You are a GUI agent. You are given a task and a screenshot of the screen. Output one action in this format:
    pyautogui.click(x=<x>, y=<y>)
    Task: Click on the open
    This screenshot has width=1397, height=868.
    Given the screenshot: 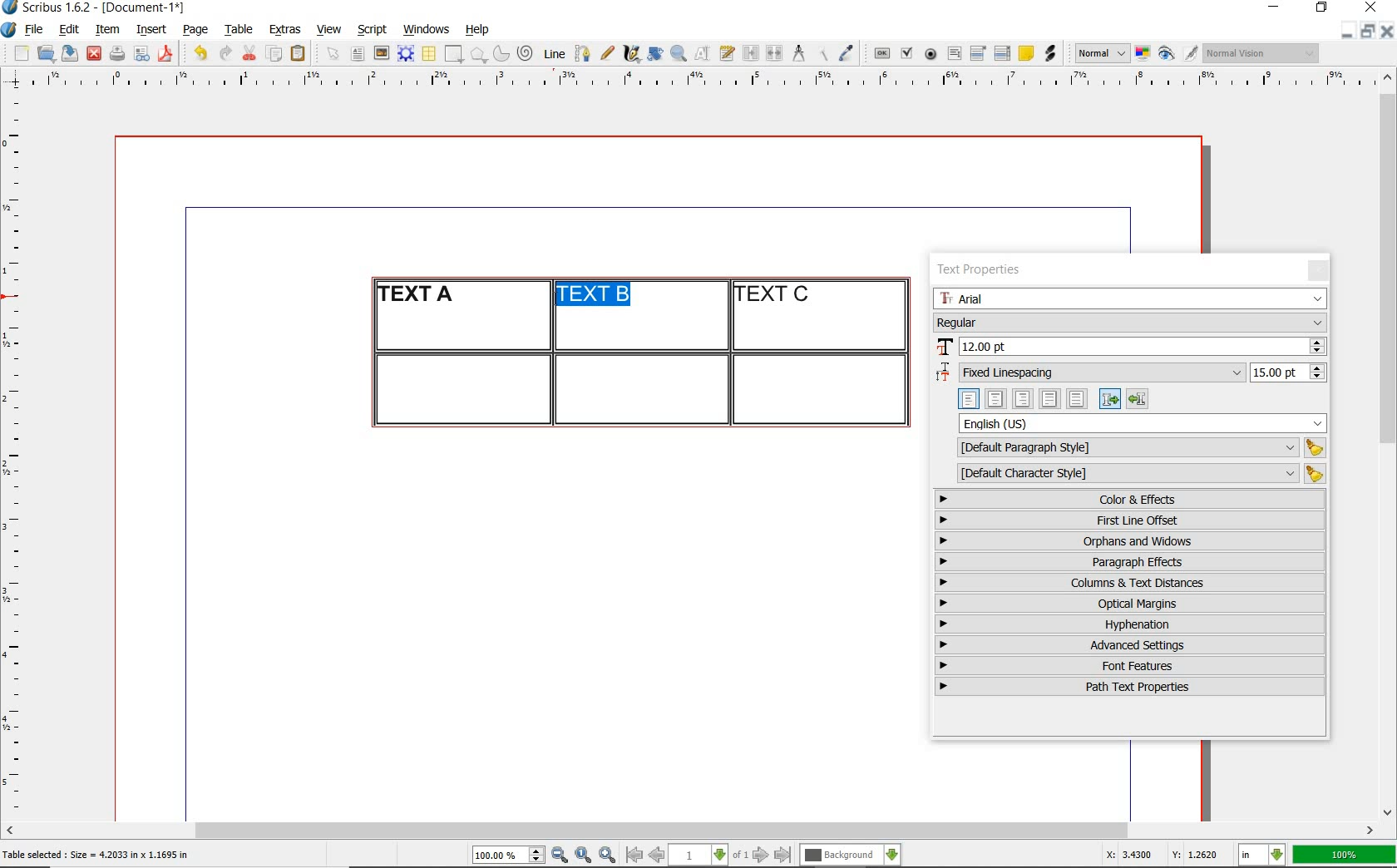 What is the action you would take?
    pyautogui.click(x=45, y=52)
    